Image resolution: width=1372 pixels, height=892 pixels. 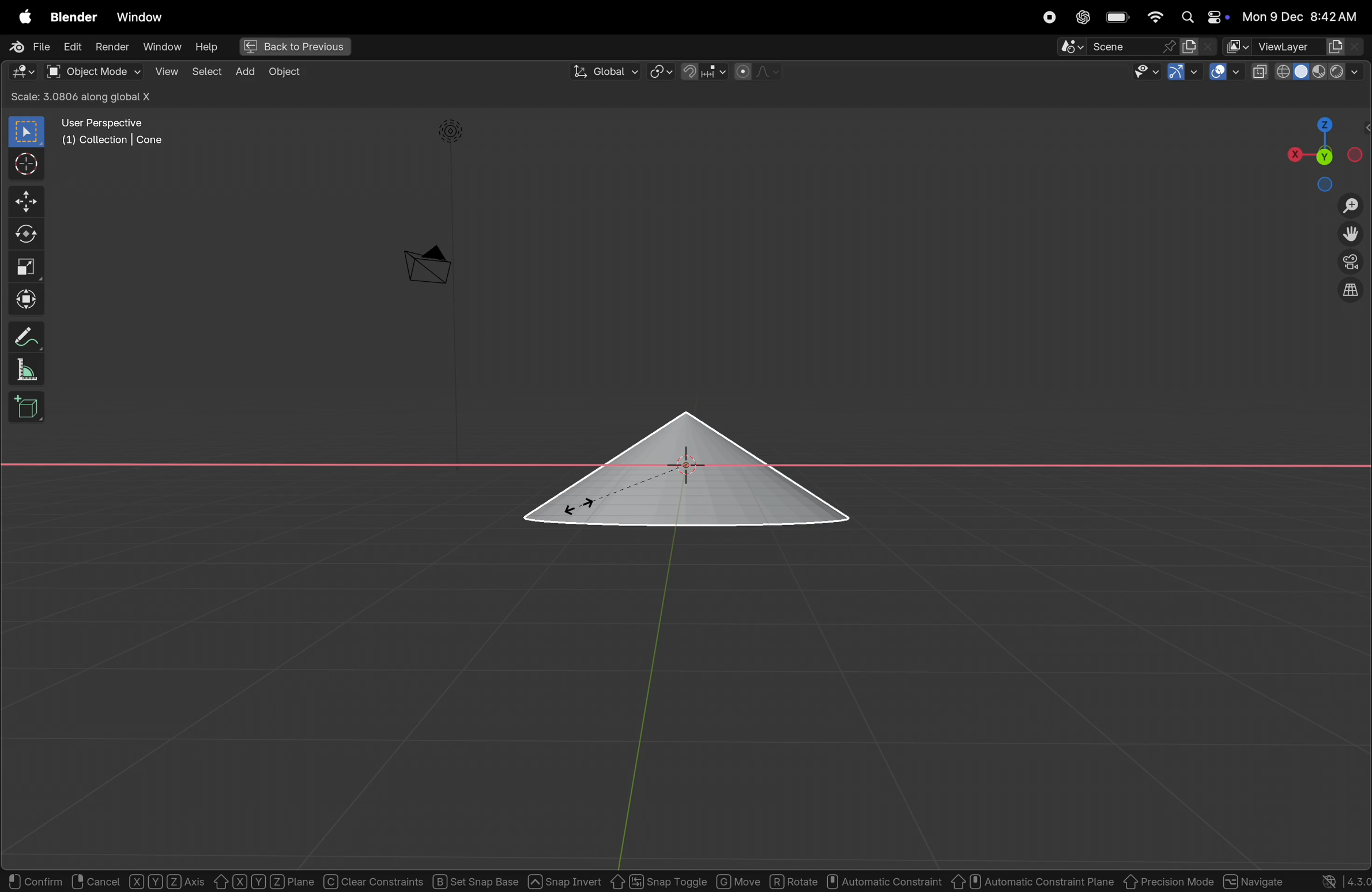 What do you see at coordinates (1336, 96) in the screenshot?
I see `options` at bounding box center [1336, 96].